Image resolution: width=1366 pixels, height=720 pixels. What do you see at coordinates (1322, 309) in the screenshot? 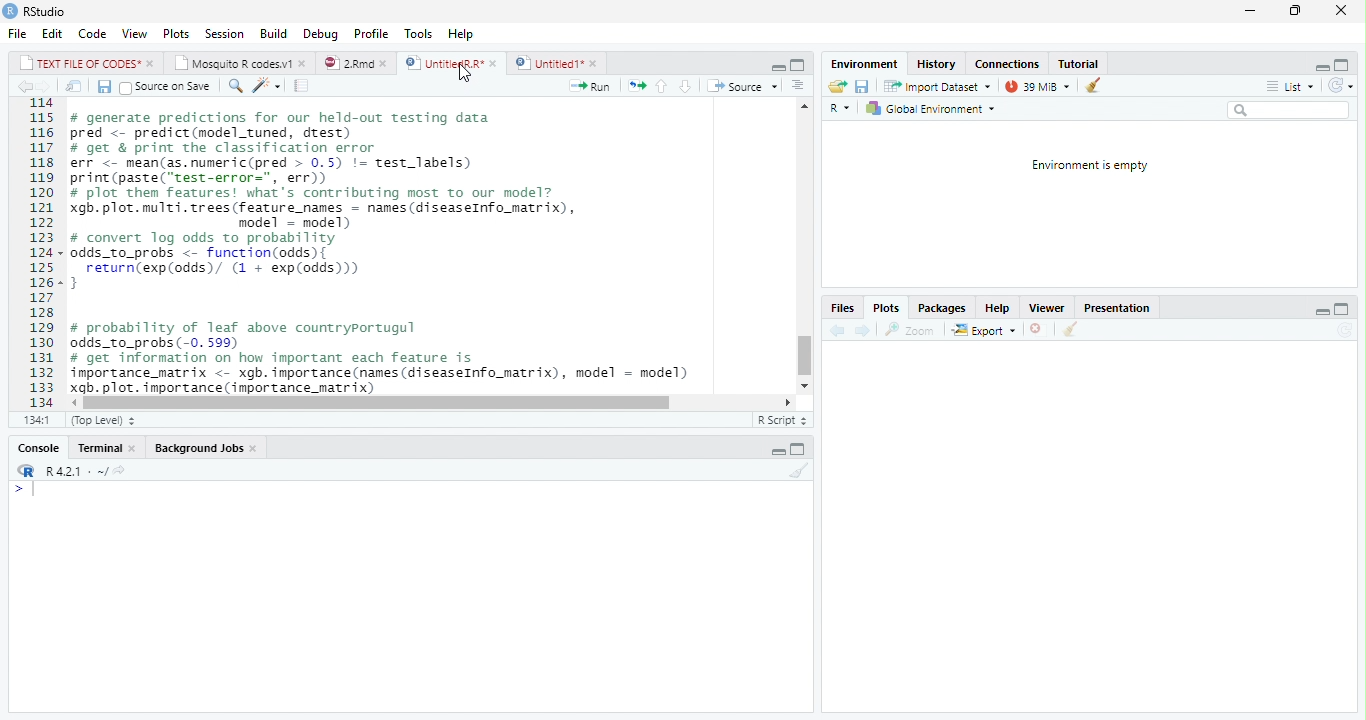
I see `Minimize` at bounding box center [1322, 309].